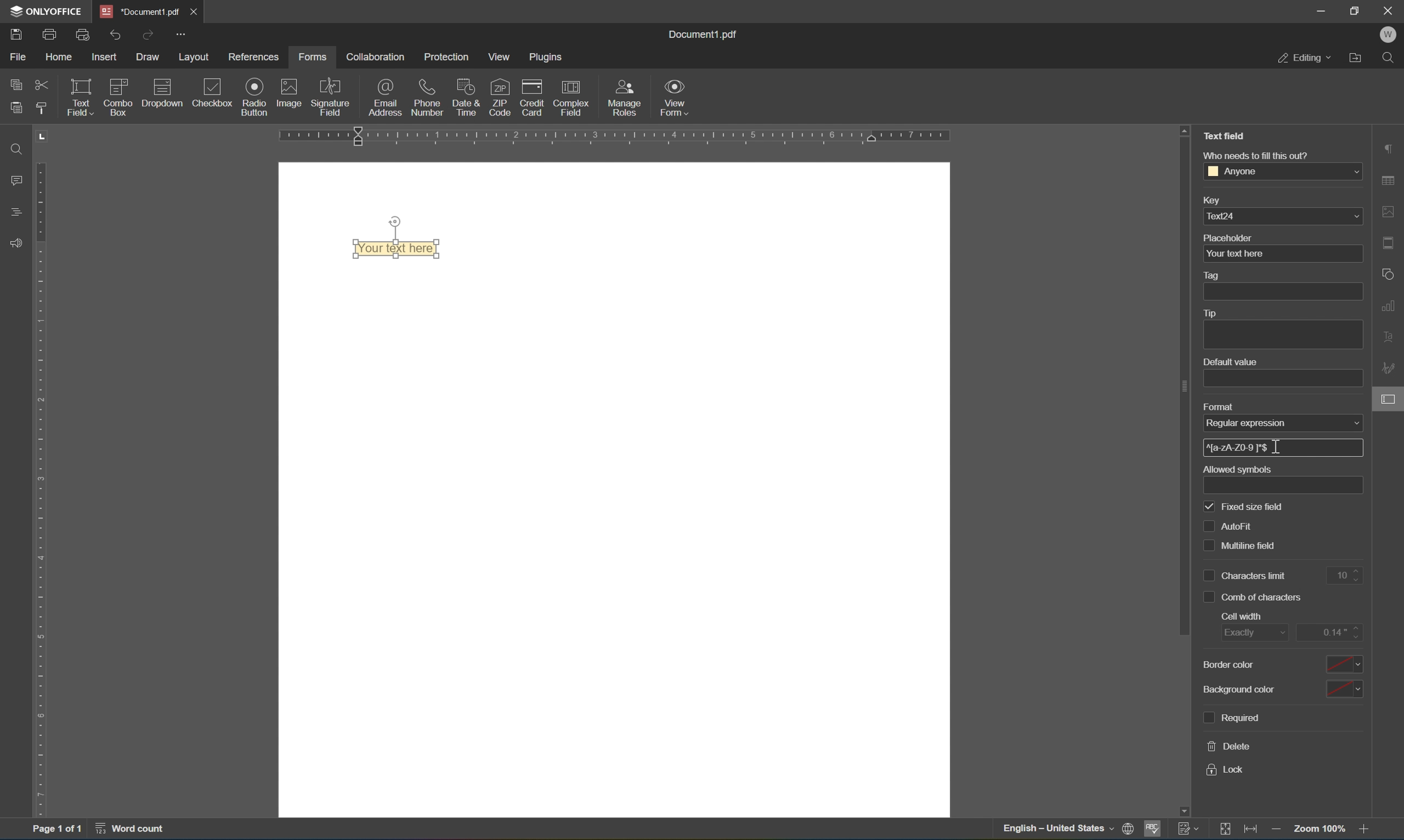  I want to click on paragraph settings, so click(1389, 147).